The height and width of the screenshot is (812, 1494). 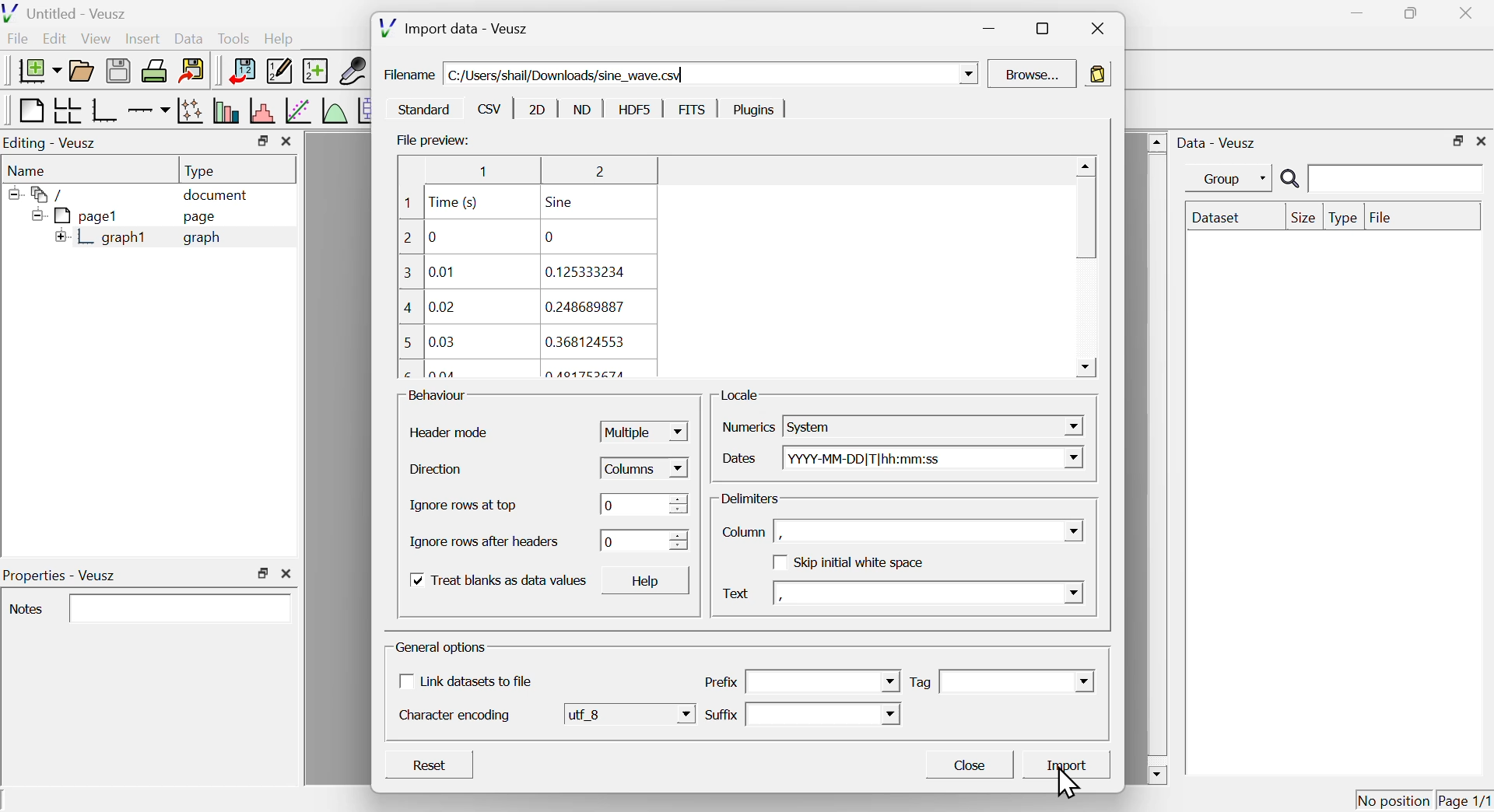 What do you see at coordinates (97, 38) in the screenshot?
I see `view` at bounding box center [97, 38].